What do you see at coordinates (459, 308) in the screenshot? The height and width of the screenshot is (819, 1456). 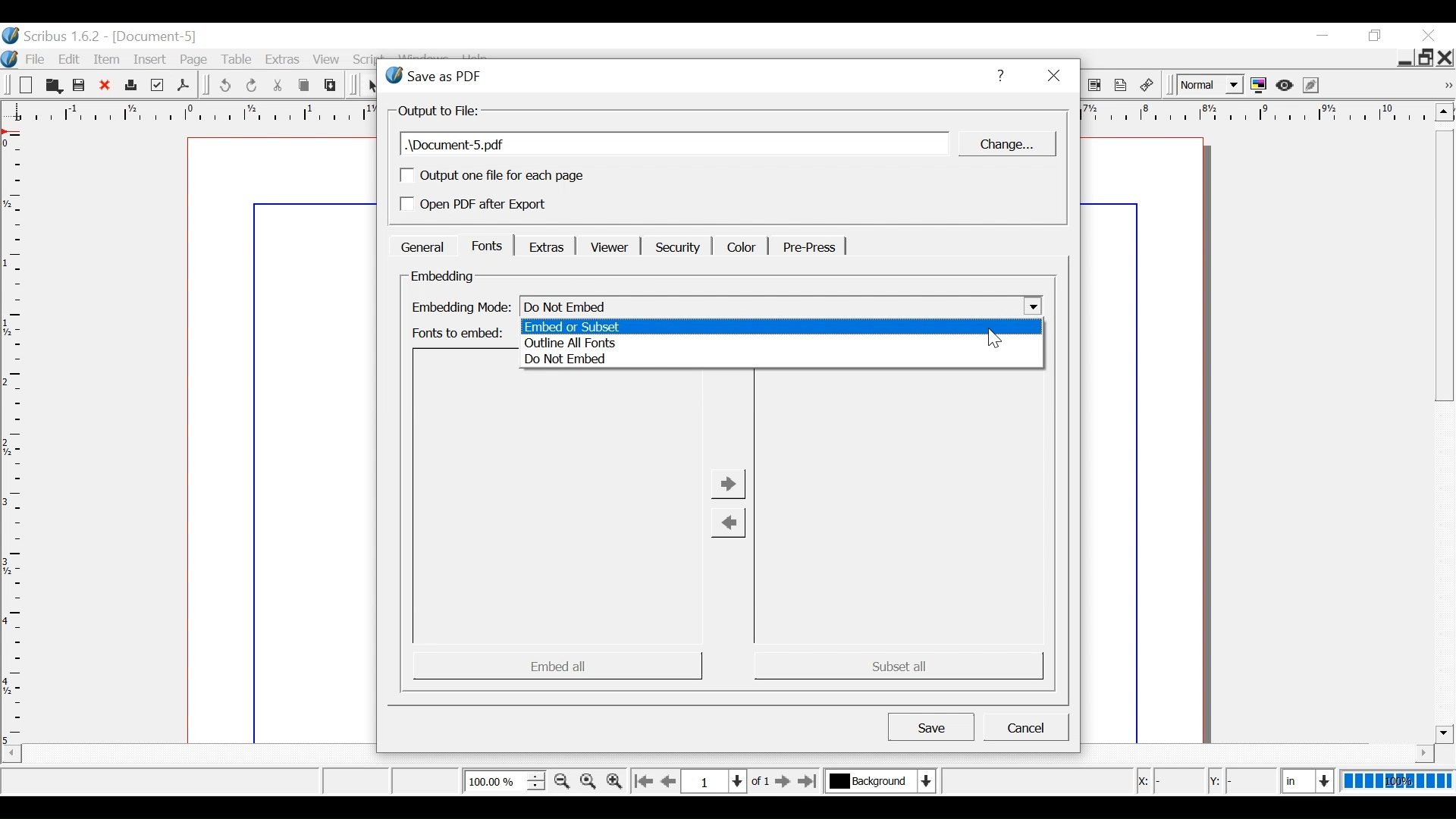 I see `Embedding mode` at bounding box center [459, 308].